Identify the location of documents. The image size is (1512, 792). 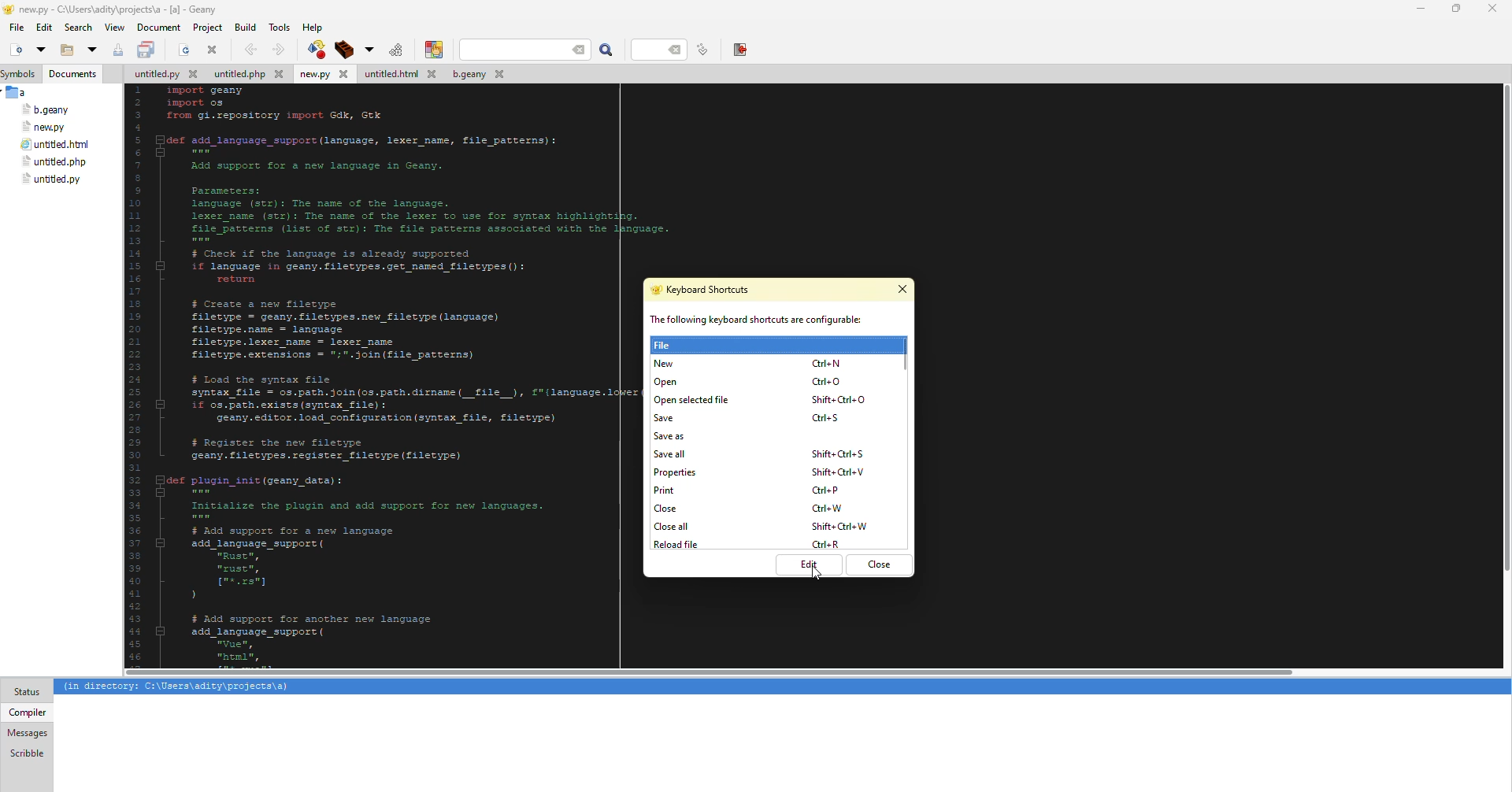
(74, 74).